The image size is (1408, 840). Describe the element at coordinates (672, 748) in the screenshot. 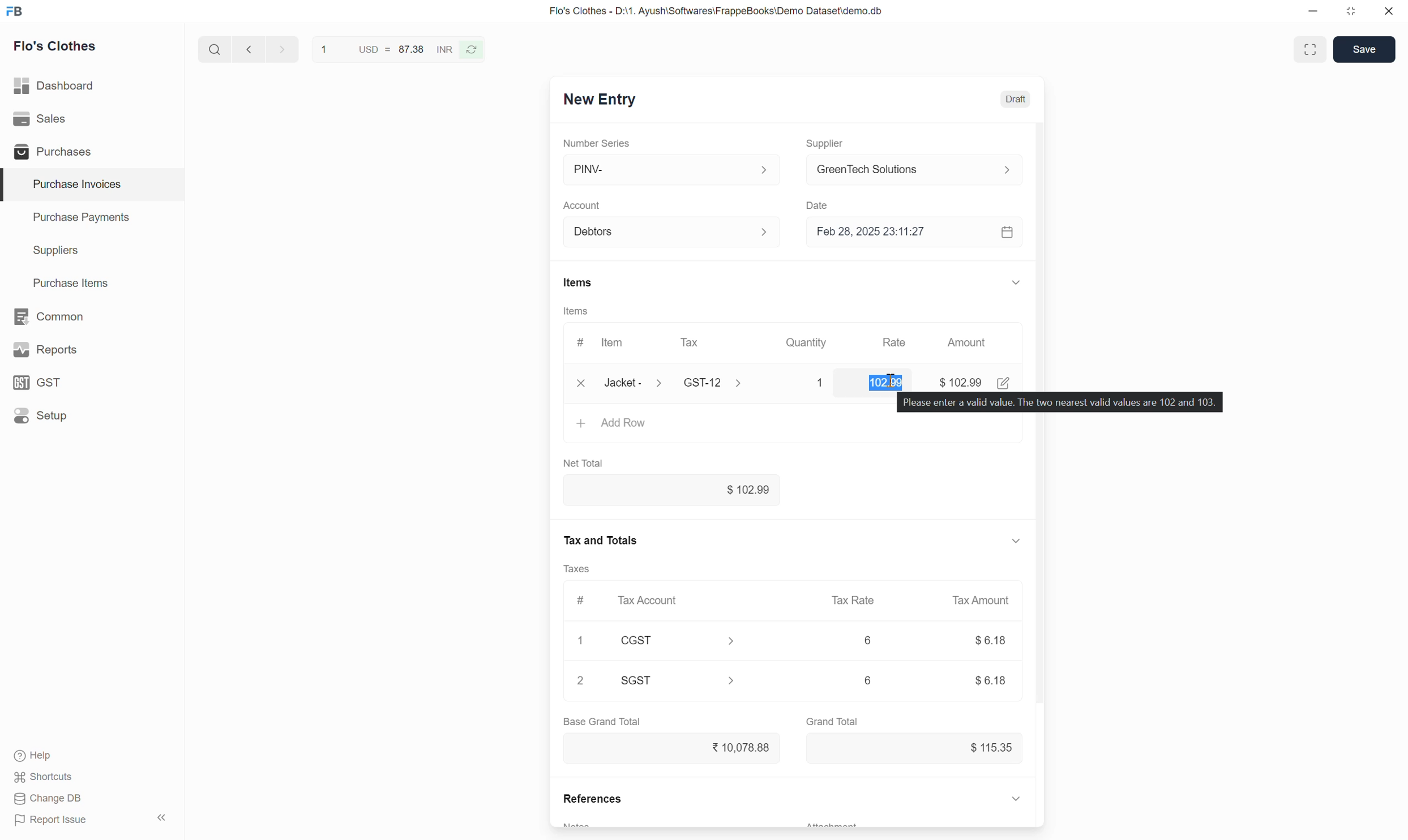

I see `10,078.88` at that location.